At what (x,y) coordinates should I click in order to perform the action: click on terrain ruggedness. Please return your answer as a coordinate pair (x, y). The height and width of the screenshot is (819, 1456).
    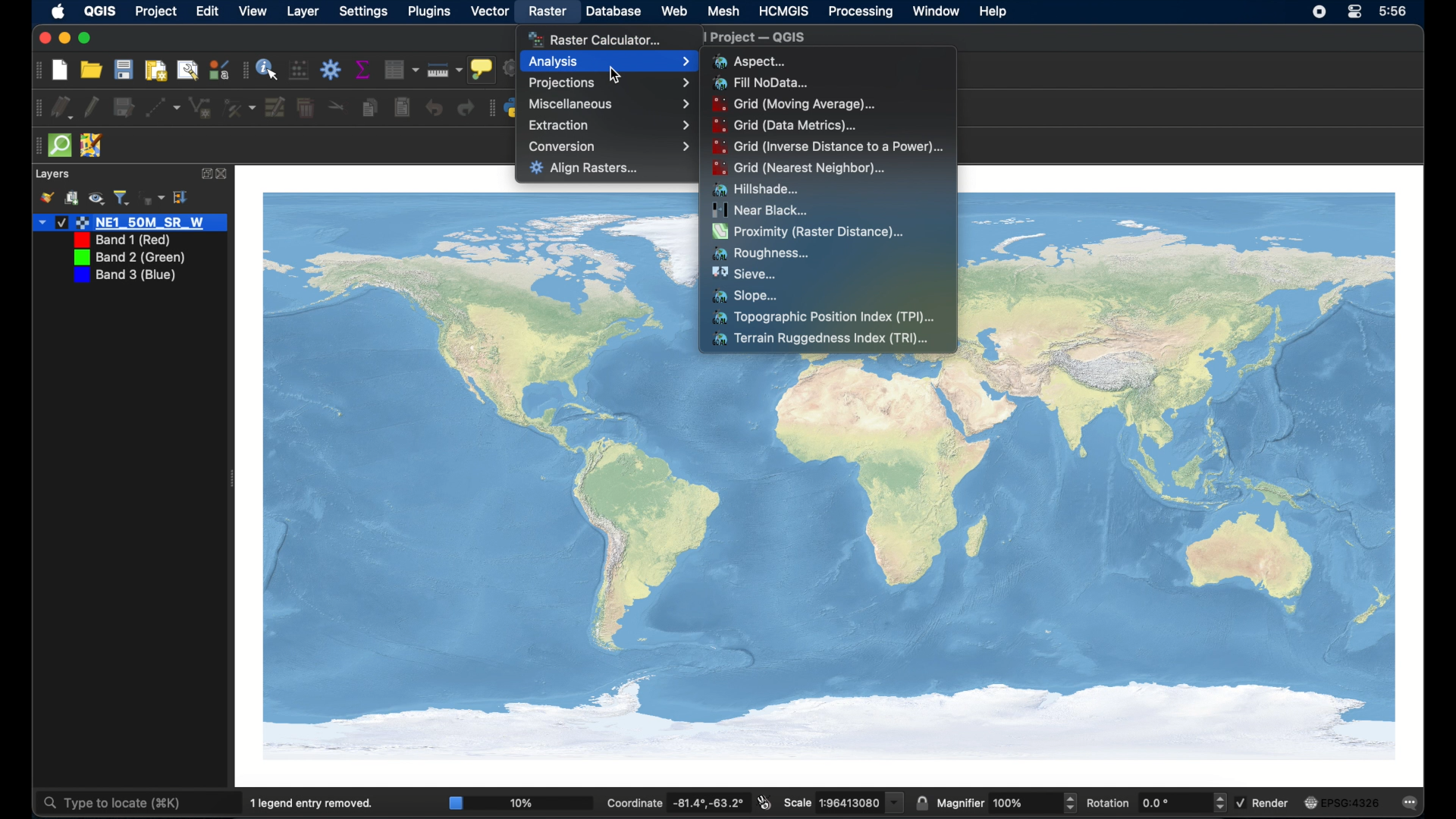
    Looking at the image, I should click on (821, 340).